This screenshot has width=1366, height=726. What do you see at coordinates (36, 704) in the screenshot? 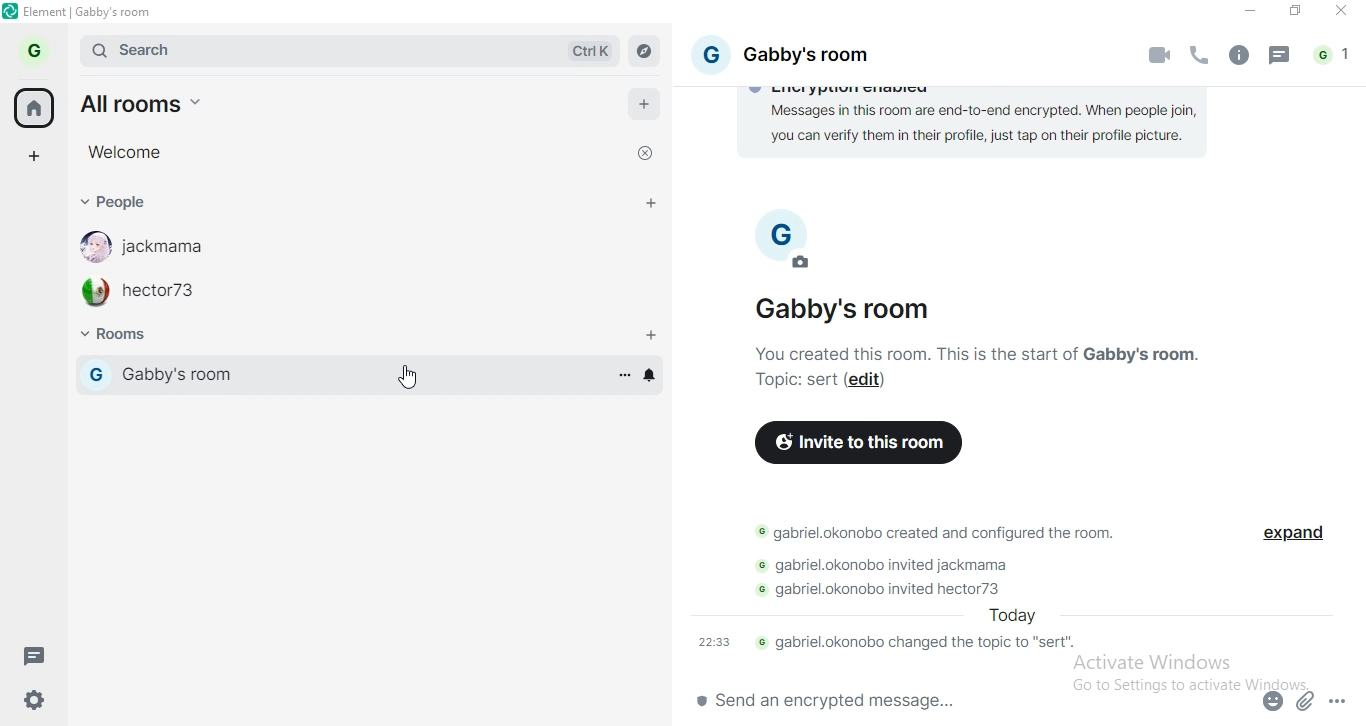
I see `setttings` at bounding box center [36, 704].